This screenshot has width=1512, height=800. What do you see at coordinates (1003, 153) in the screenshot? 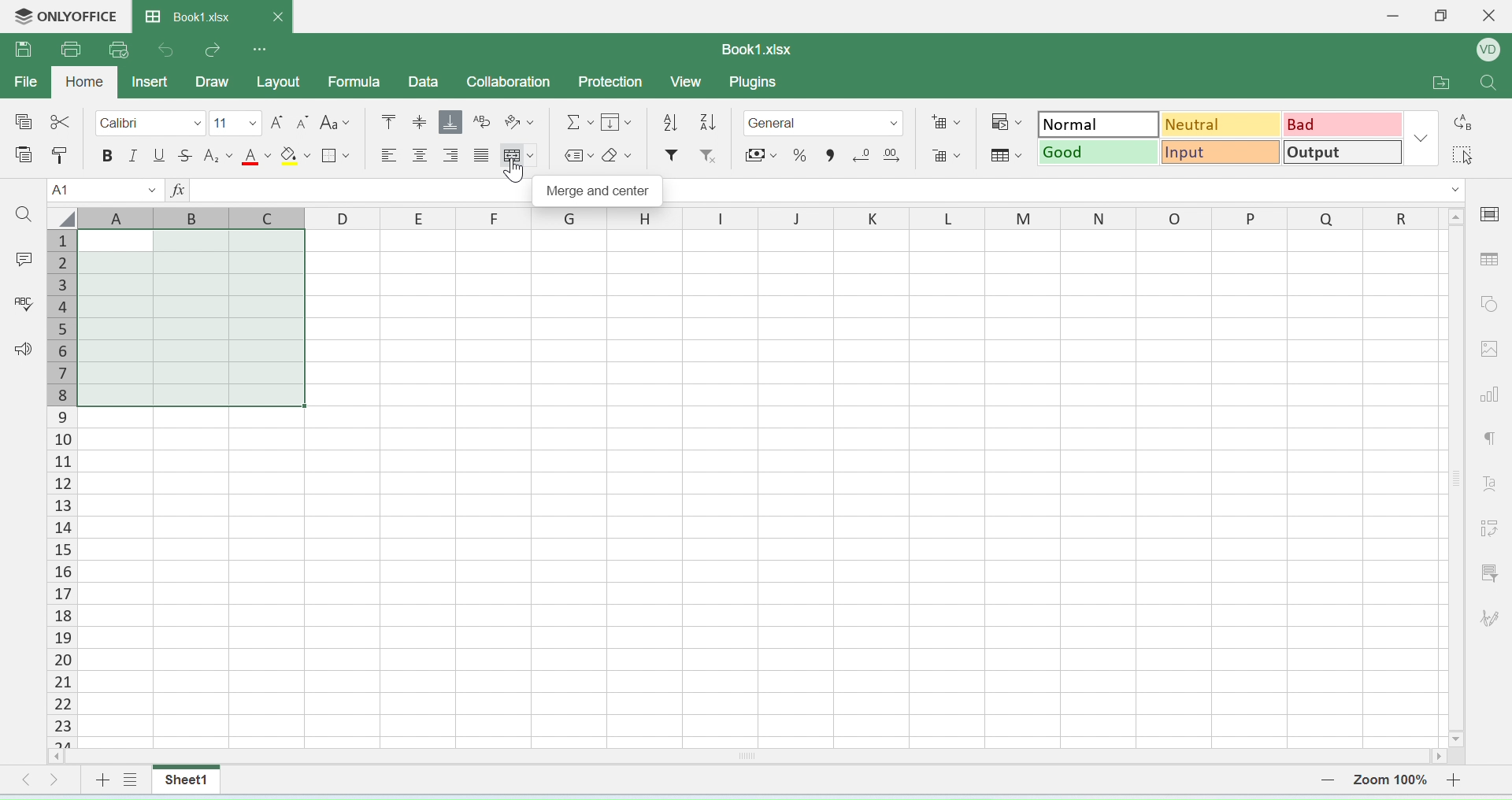
I see `format as table template` at bounding box center [1003, 153].